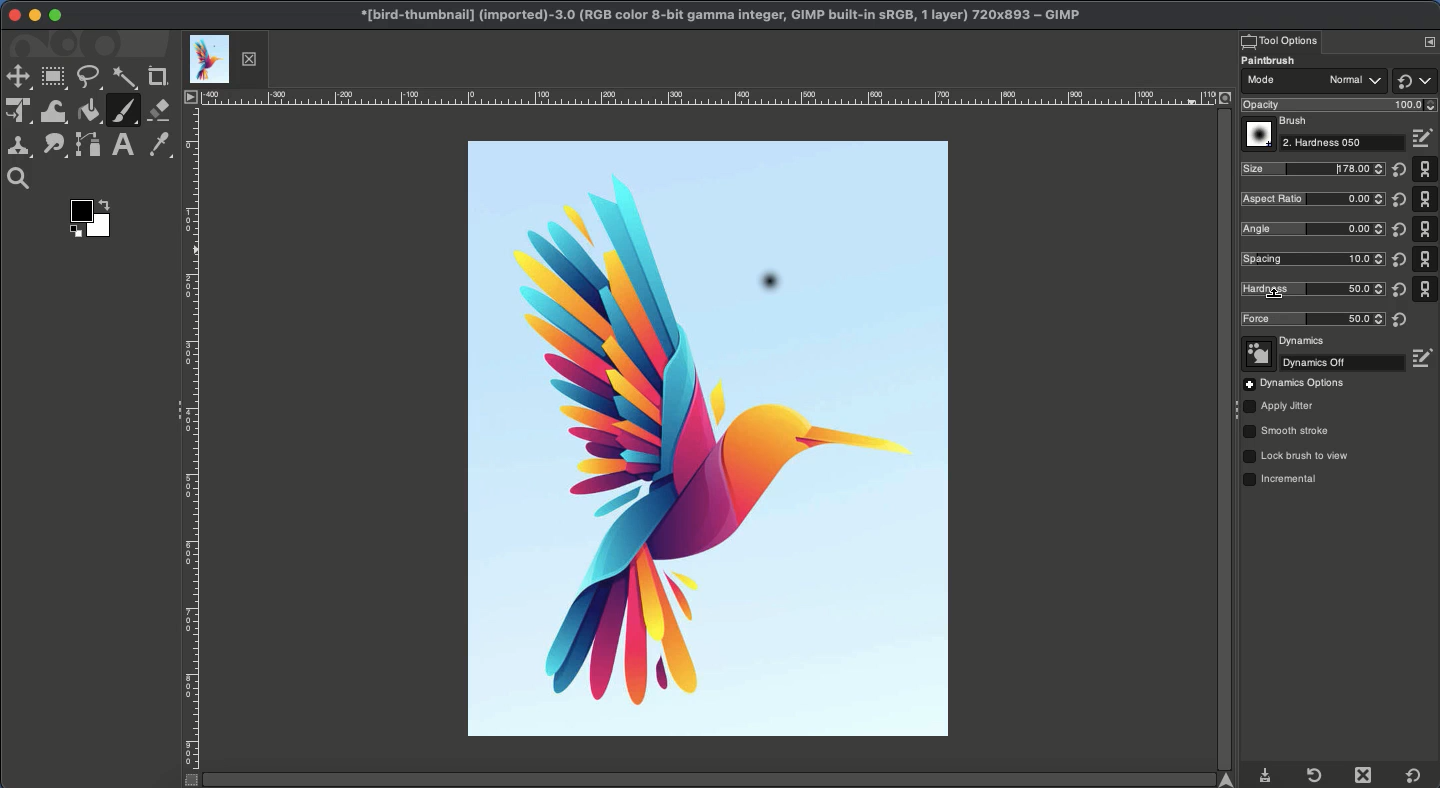 Image resolution: width=1440 pixels, height=788 pixels. Describe the element at coordinates (123, 111) in the screenshot. I see `Paintbrush` at that location.